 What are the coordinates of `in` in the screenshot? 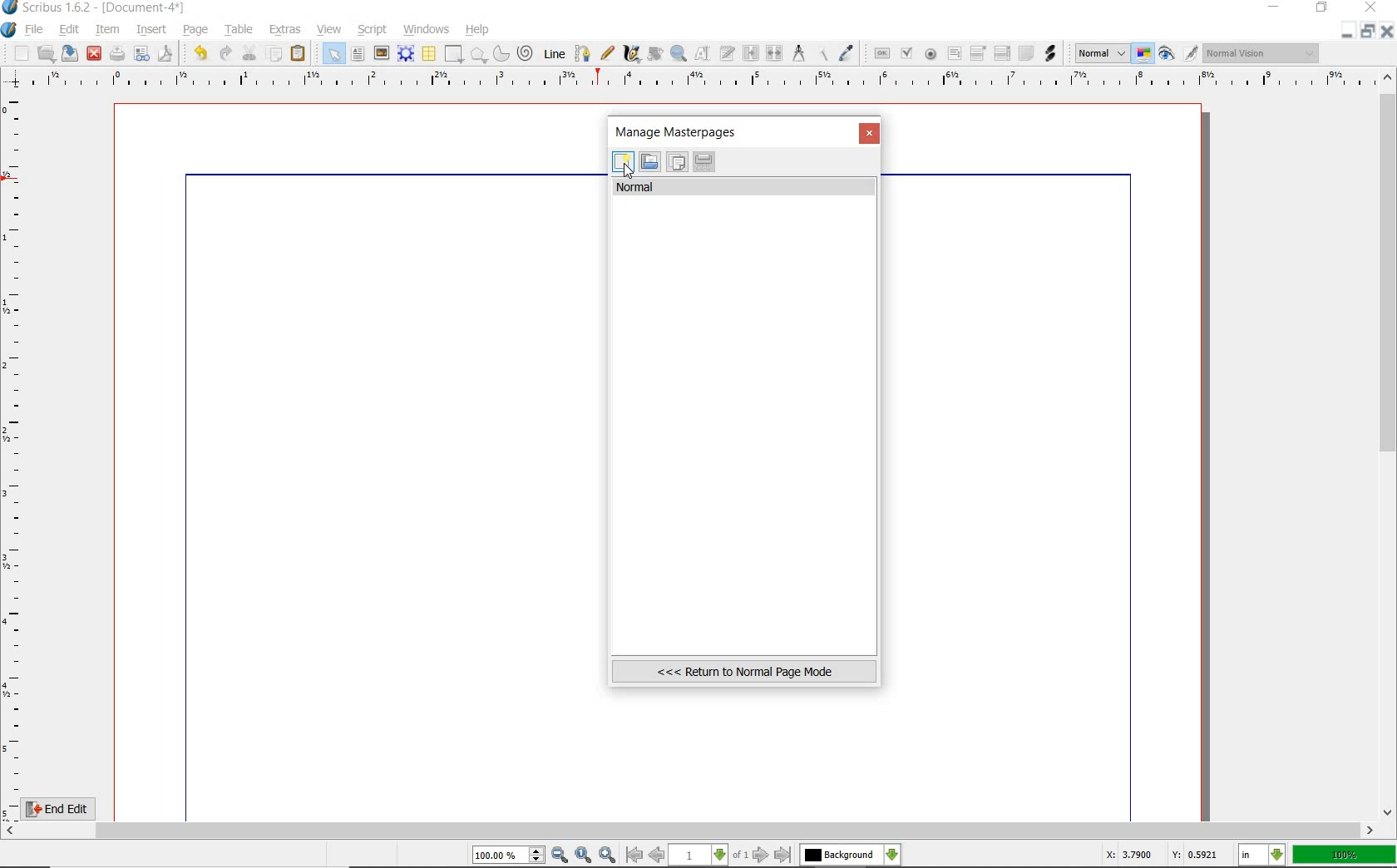 It's located at (1262, 856).